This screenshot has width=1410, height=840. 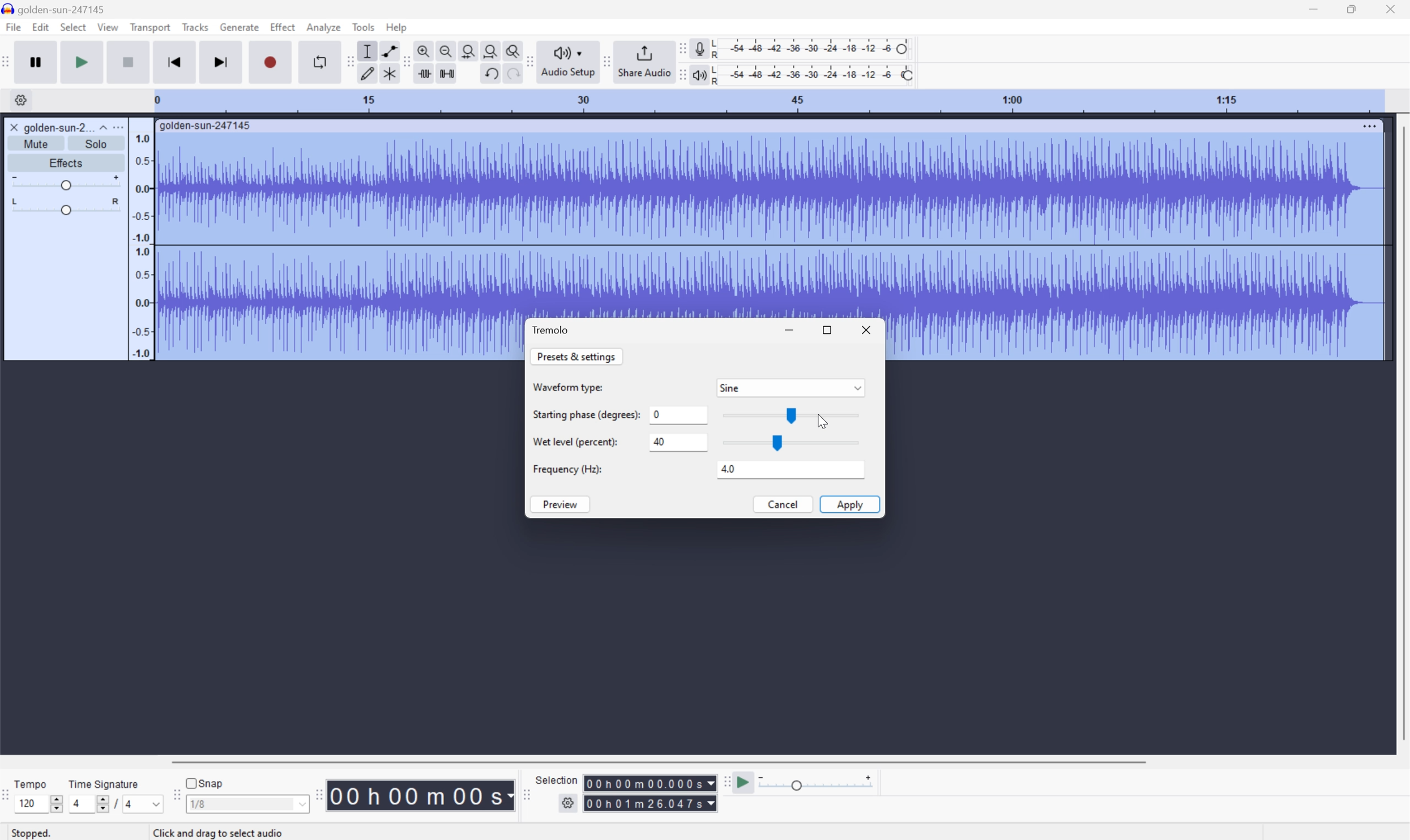 I want to click on Silence audio selection, so click(x=448, y=72).